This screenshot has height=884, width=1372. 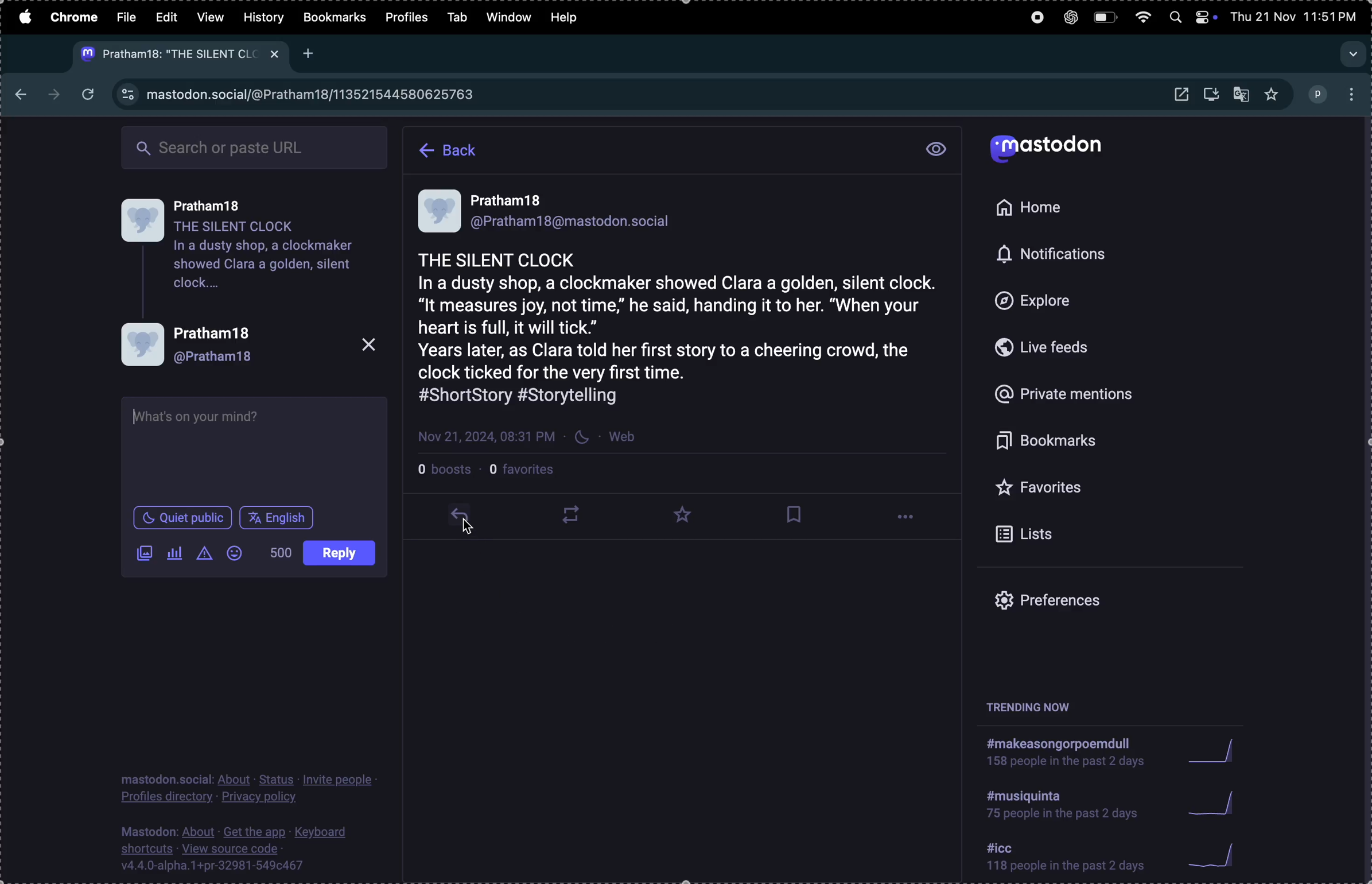 What do you see at coordinates (1296, 15) in the screenshot?
I see `date and time` at bounding box center [1296, 15].